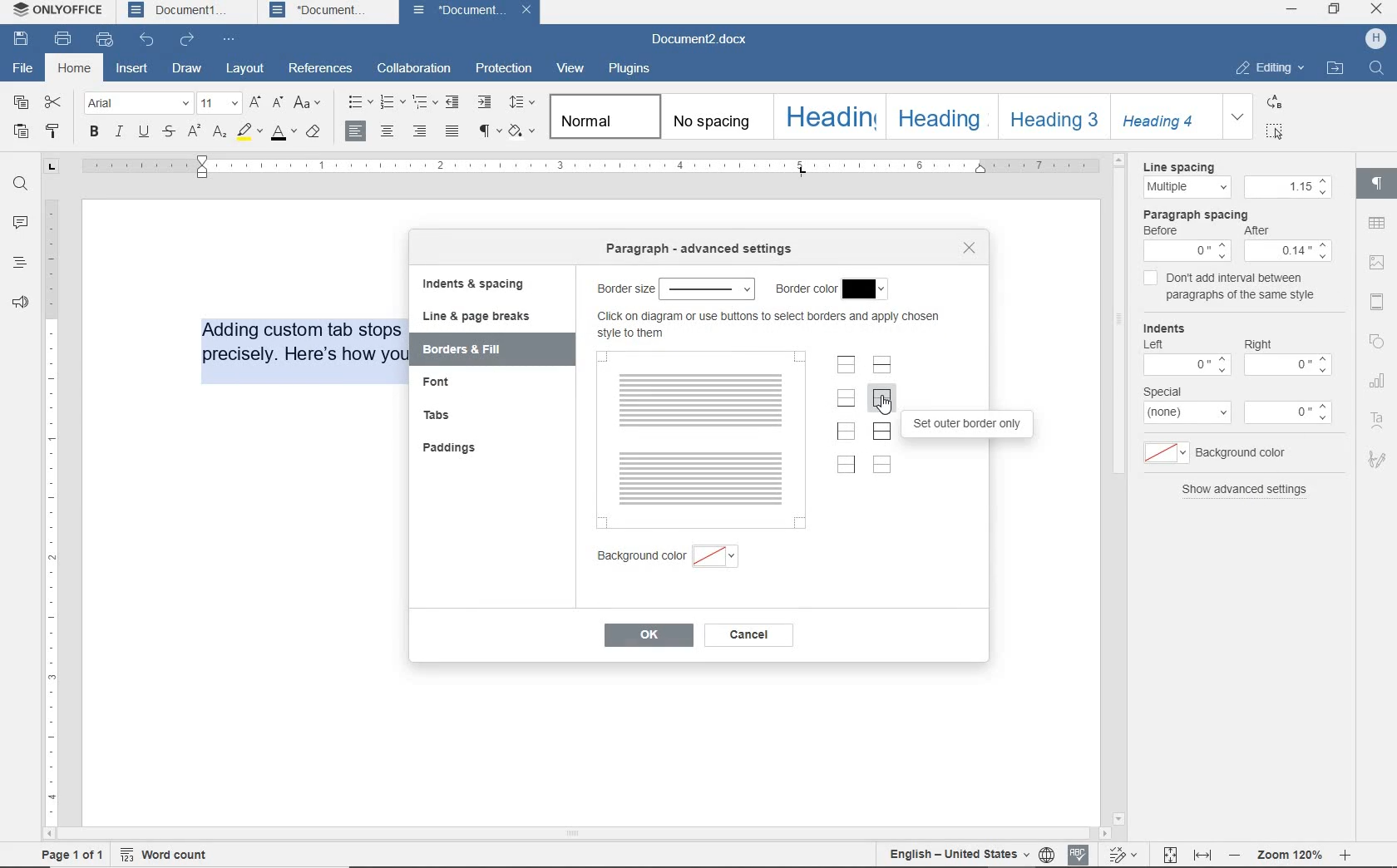  What do you see at coordinates (870, 289) in the screenshot?
I see `border color menu` at bounding box center [870, 289].